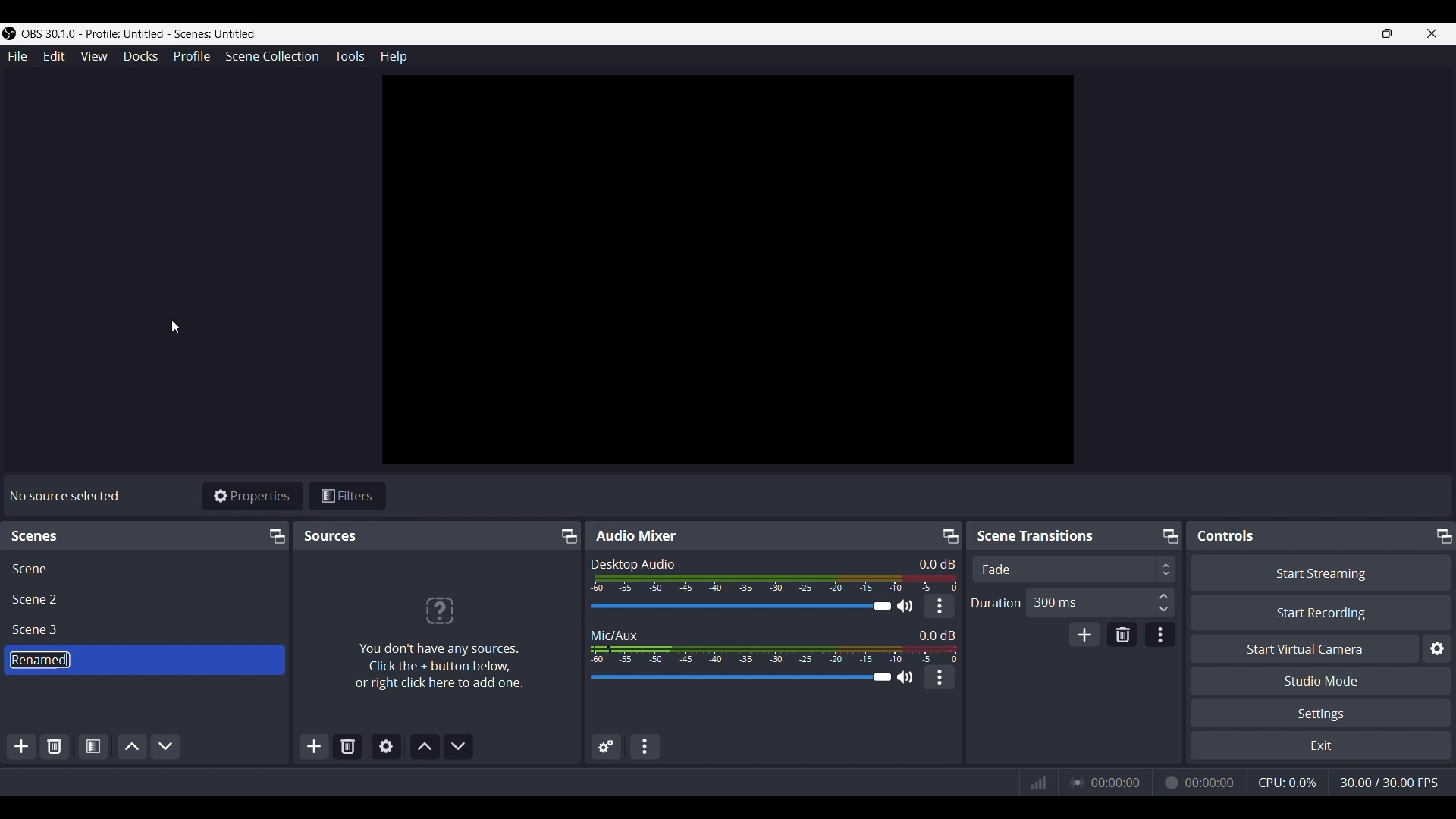 The height and width of the screenshot is (819, 1456). What do you see at coordinates (1074, 782) in the screenshot?
I see `Streaming` at bounding box center [1074, 782].